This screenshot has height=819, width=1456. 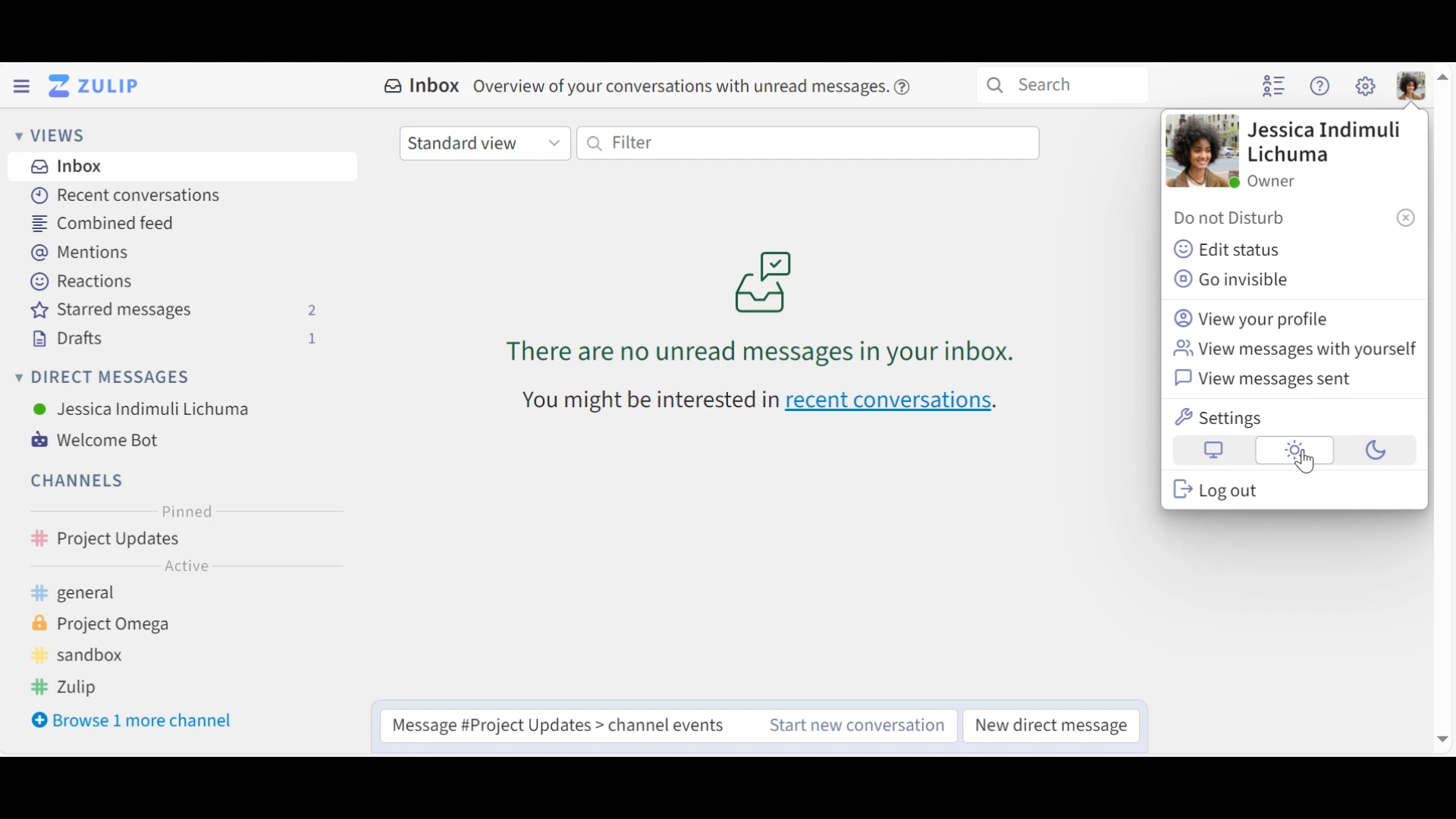 What do you see at coordinates (1322, 88) in the screenshot?
I see `Help menu` at bounding box center [1322, 88].